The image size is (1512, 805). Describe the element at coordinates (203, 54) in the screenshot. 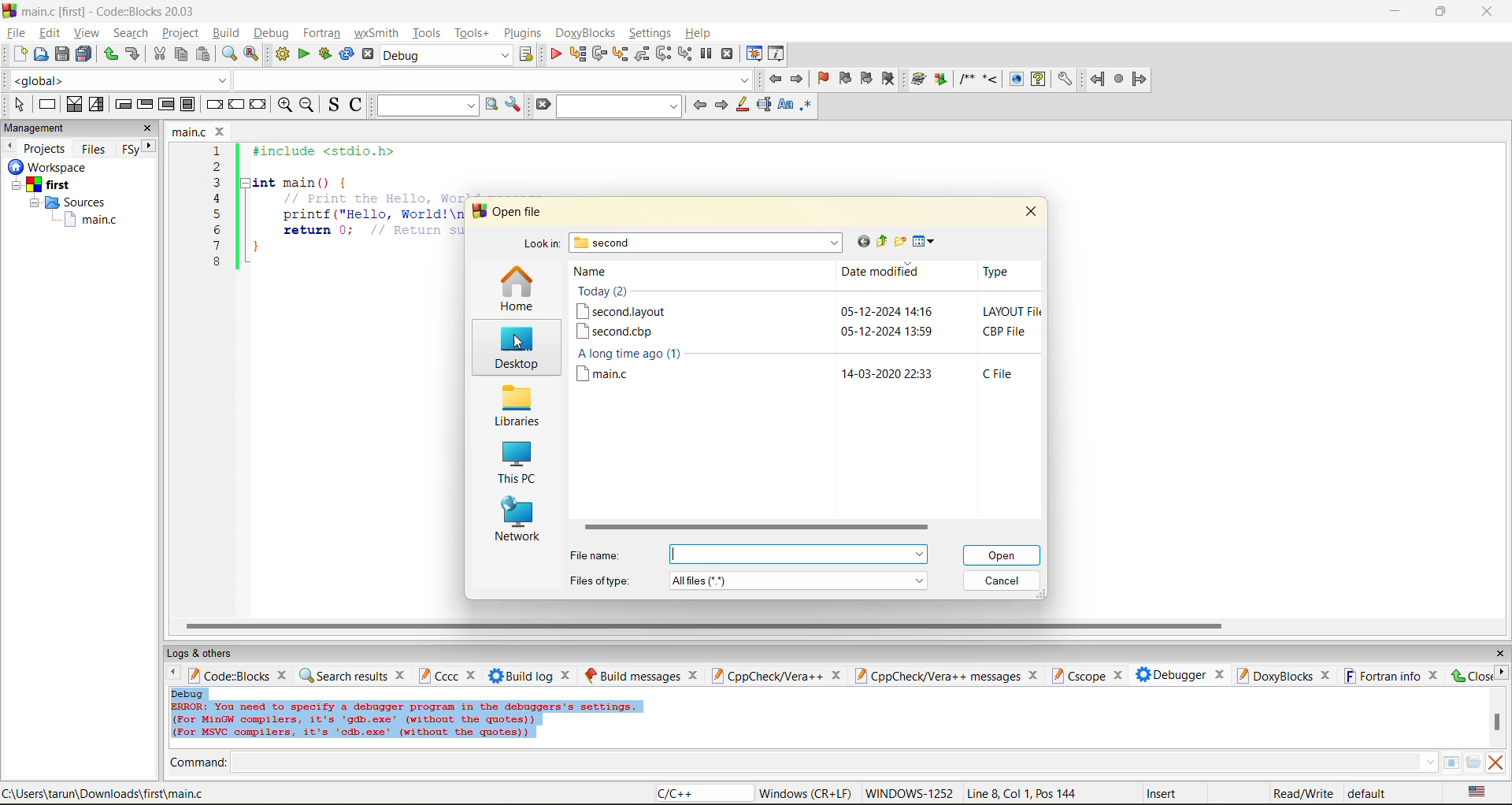

I see `paste` at that location.